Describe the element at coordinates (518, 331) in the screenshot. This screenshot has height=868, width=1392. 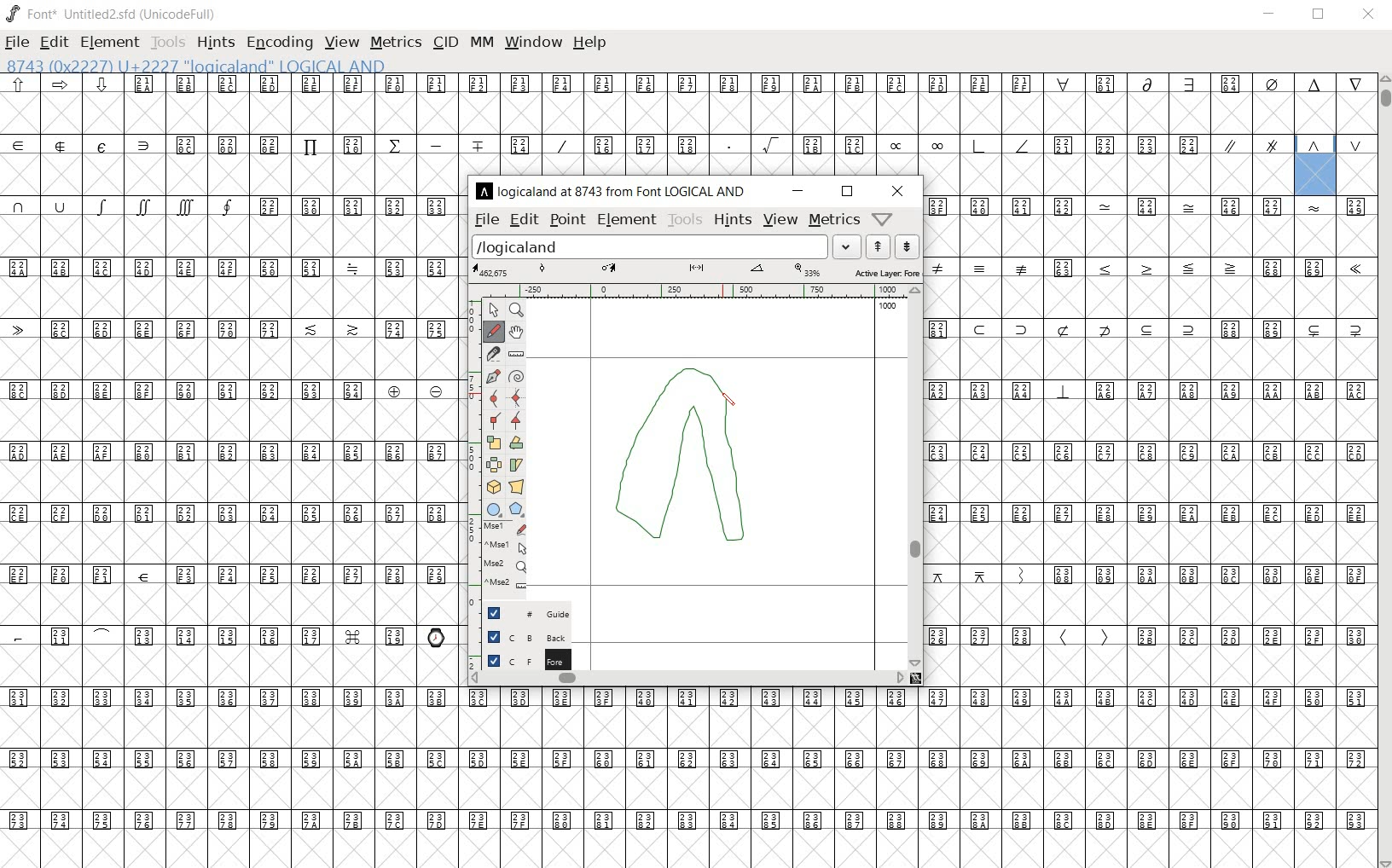
I see `scroll by hand` at that location.